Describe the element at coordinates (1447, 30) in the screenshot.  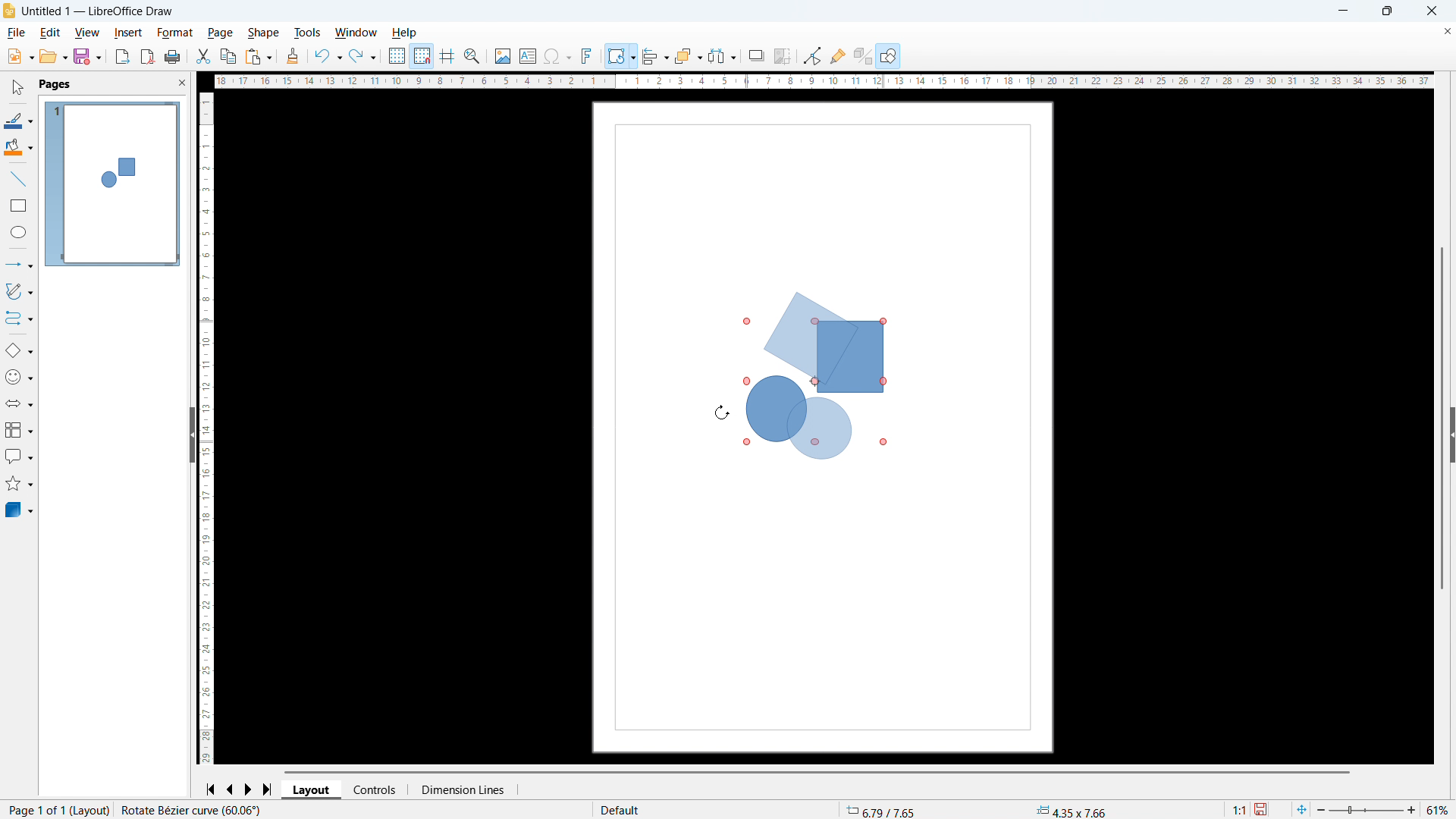
I see `Close document ` at that location.